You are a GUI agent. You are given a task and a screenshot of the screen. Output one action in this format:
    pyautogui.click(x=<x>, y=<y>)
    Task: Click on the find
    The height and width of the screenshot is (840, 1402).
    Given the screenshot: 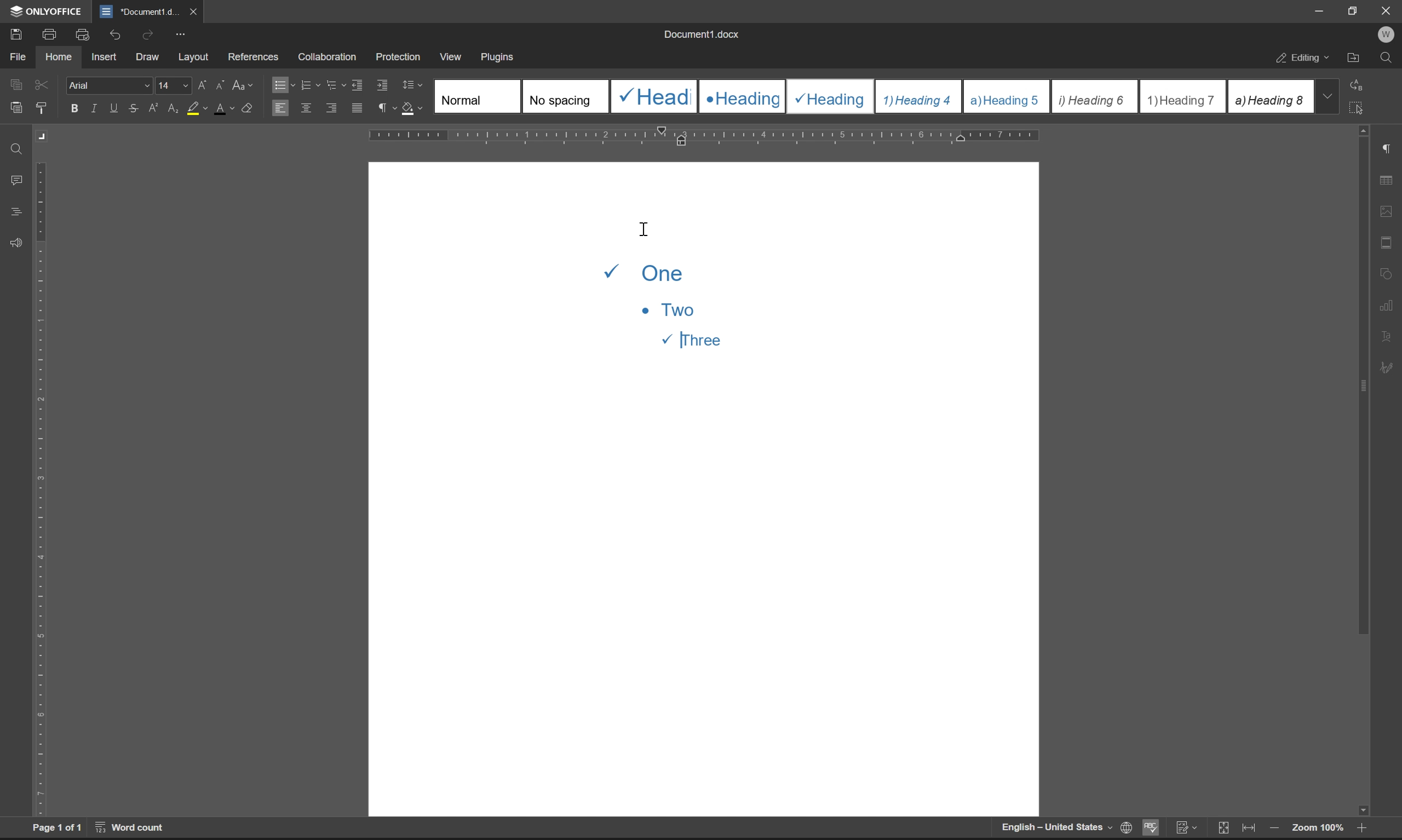 What is the action you would take?
    pyautogui.click(x=1386, y=58)
    